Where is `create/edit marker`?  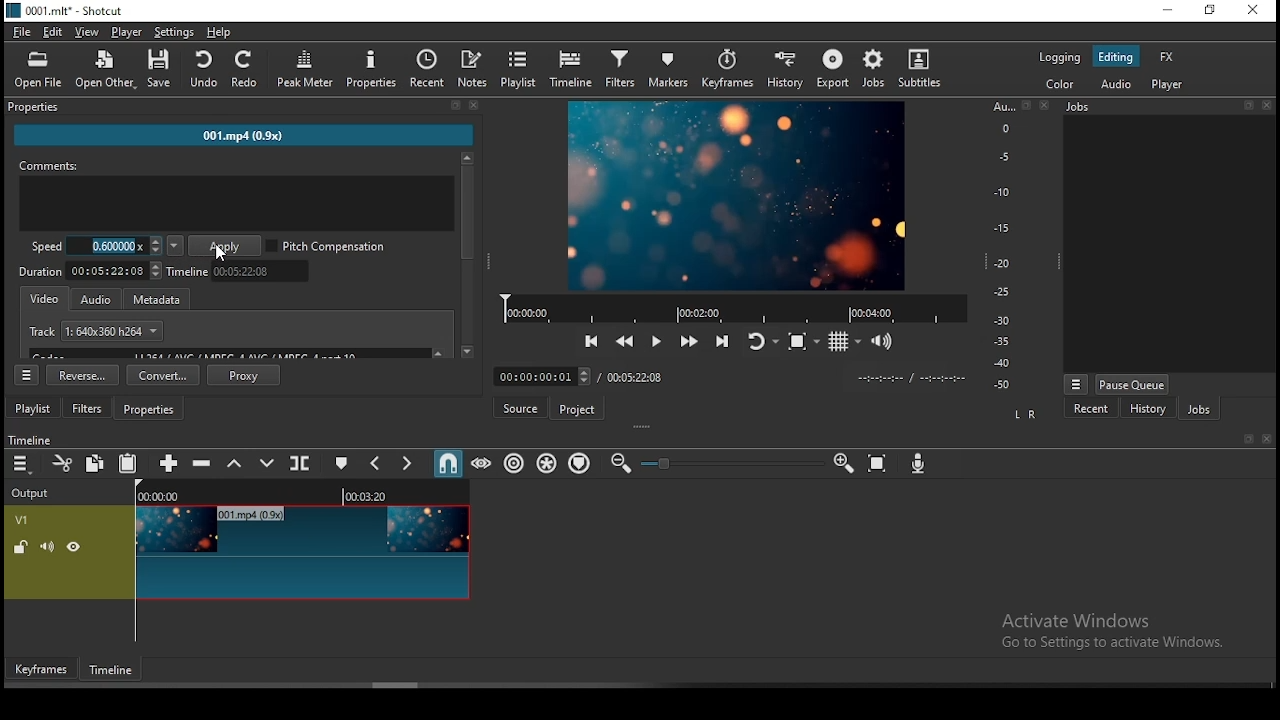 create/edit marker is located at coordinates (341, 464).